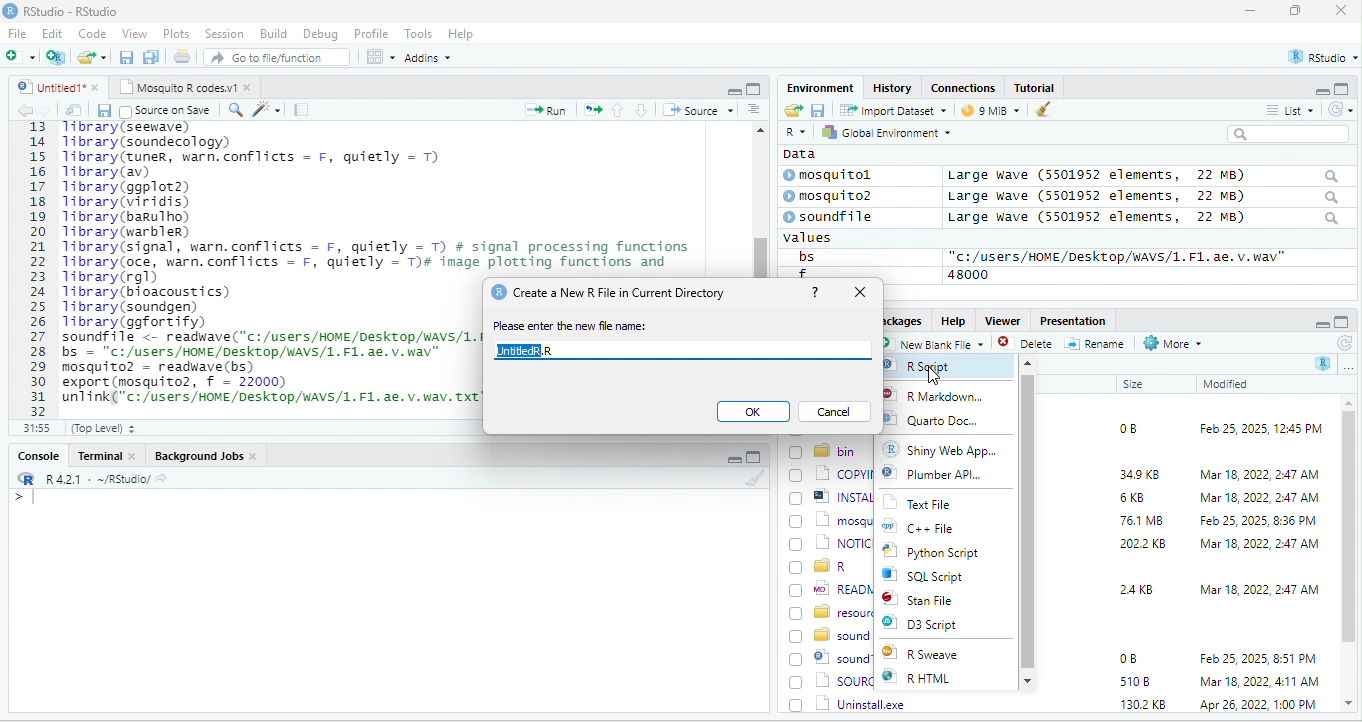 The height and width of the screenshot is (722, 1362). What do you see at coordinates (1299, 12) in the screenshot?
I see `maximize` at bounding box center [1299, 12].